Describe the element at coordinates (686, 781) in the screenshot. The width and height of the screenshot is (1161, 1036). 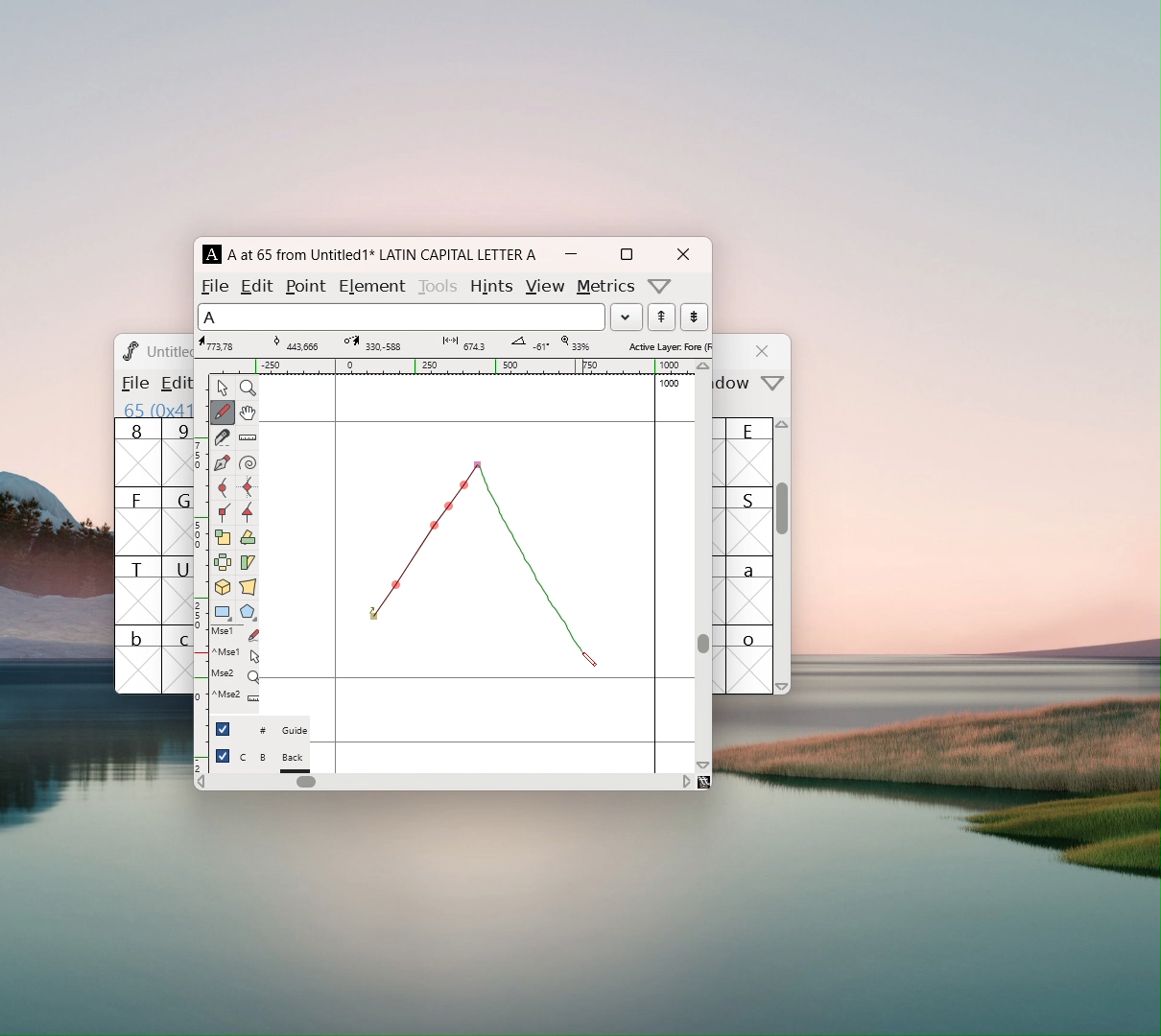
I see `scroll right` at that location.